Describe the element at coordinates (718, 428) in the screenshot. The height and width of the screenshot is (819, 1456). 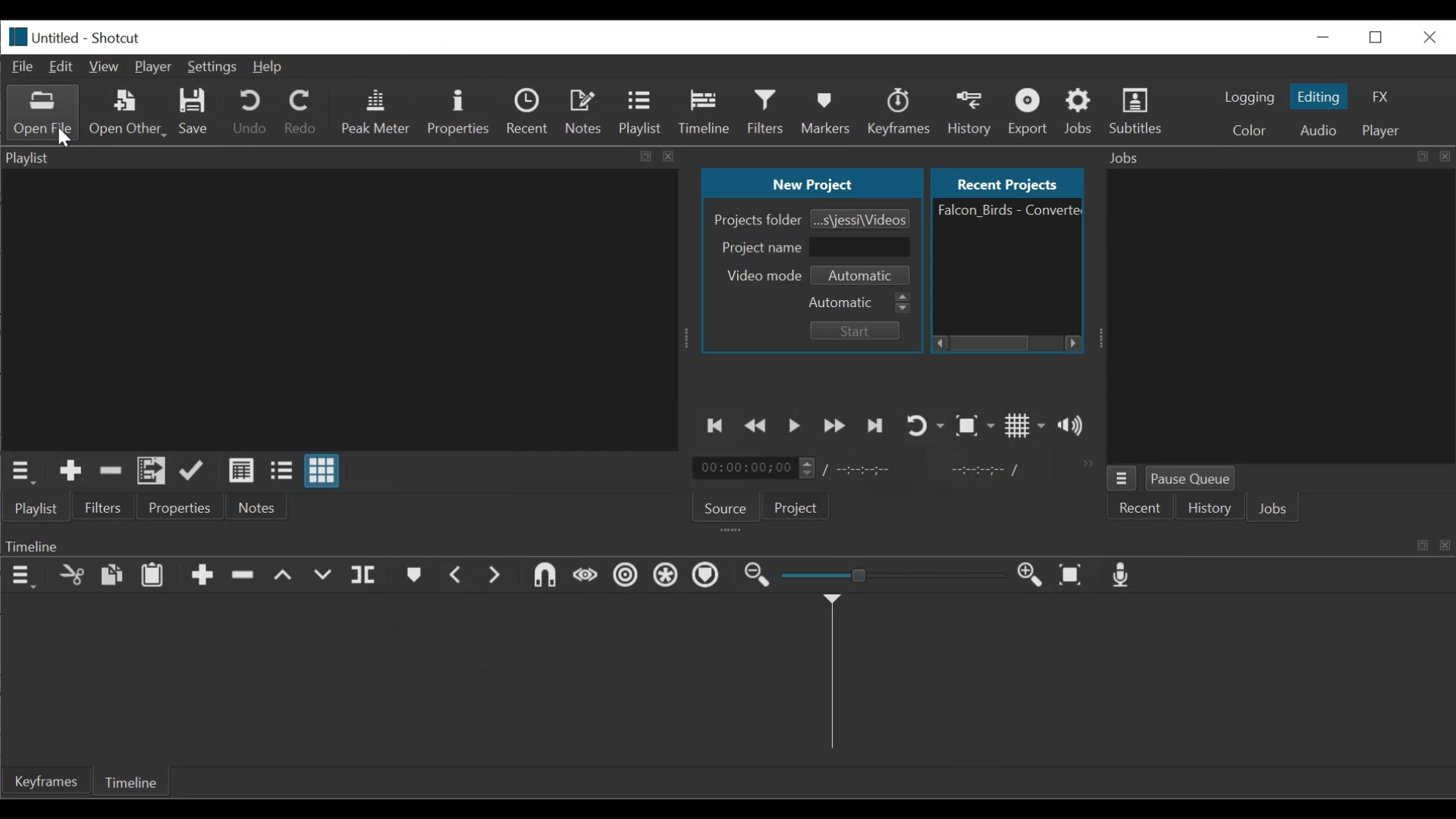
I see `Skip to the previous point` at that location.